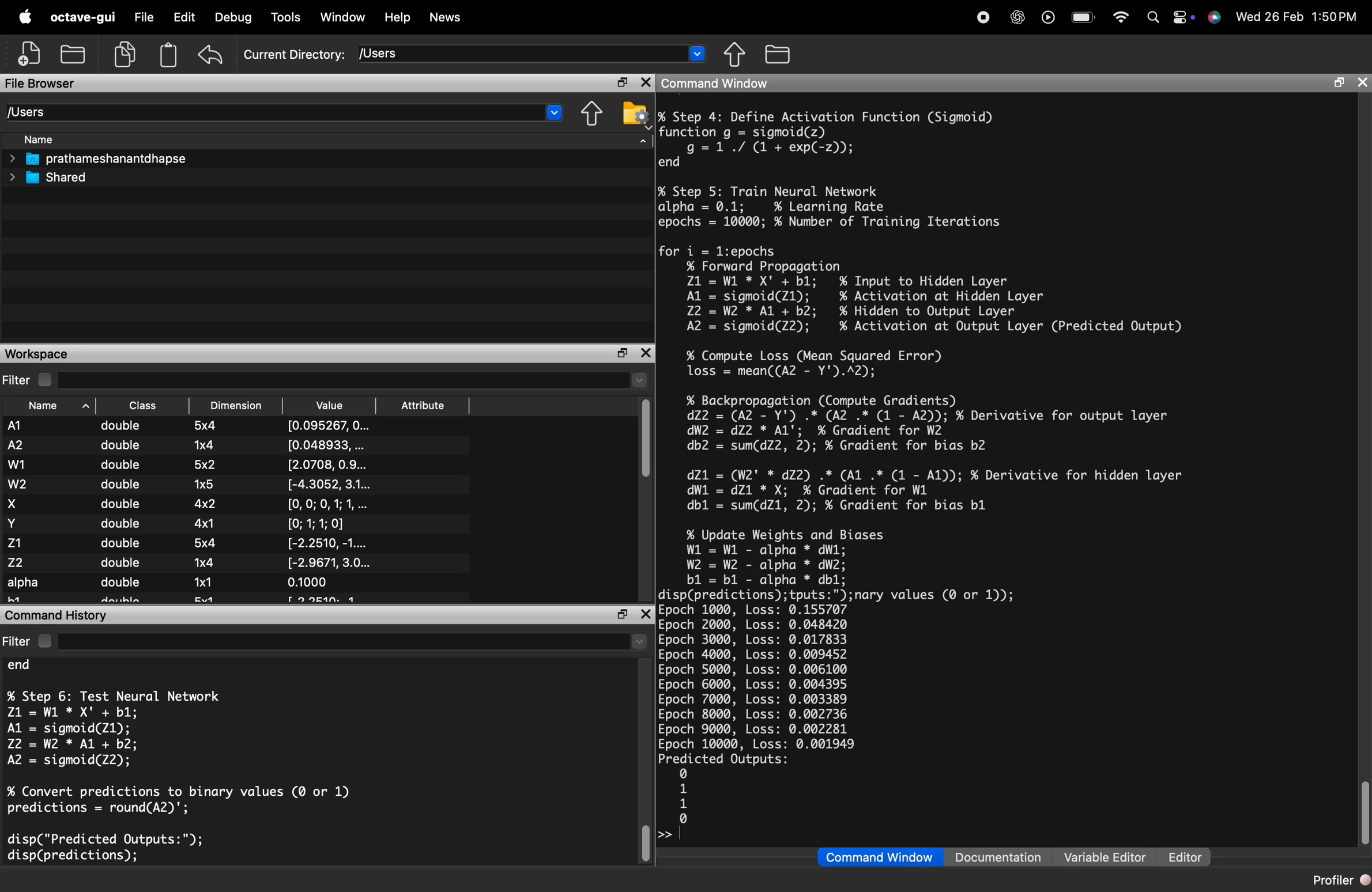 This screenshot has height=892, width=1372. What do you see at coordinates (643, 841) in the screenshot?
I see `scroll bar` at bounding box center [643, 841].